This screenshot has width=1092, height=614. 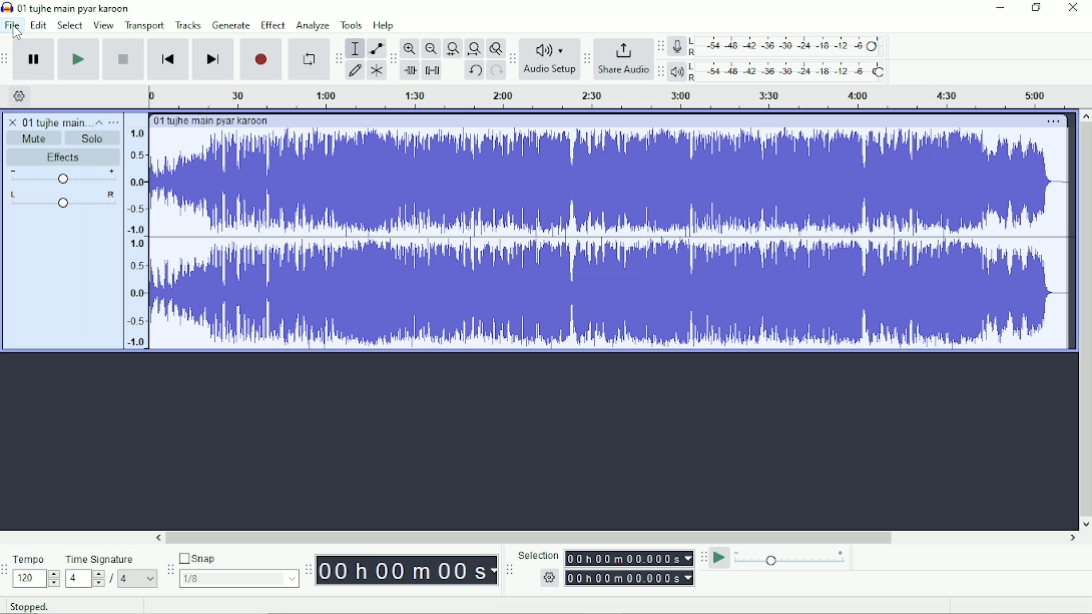 What do you see at coordinates (1084, 320) in the screenshot?
I see `Vertical scrollbar` at bounding box center [1084, 320].